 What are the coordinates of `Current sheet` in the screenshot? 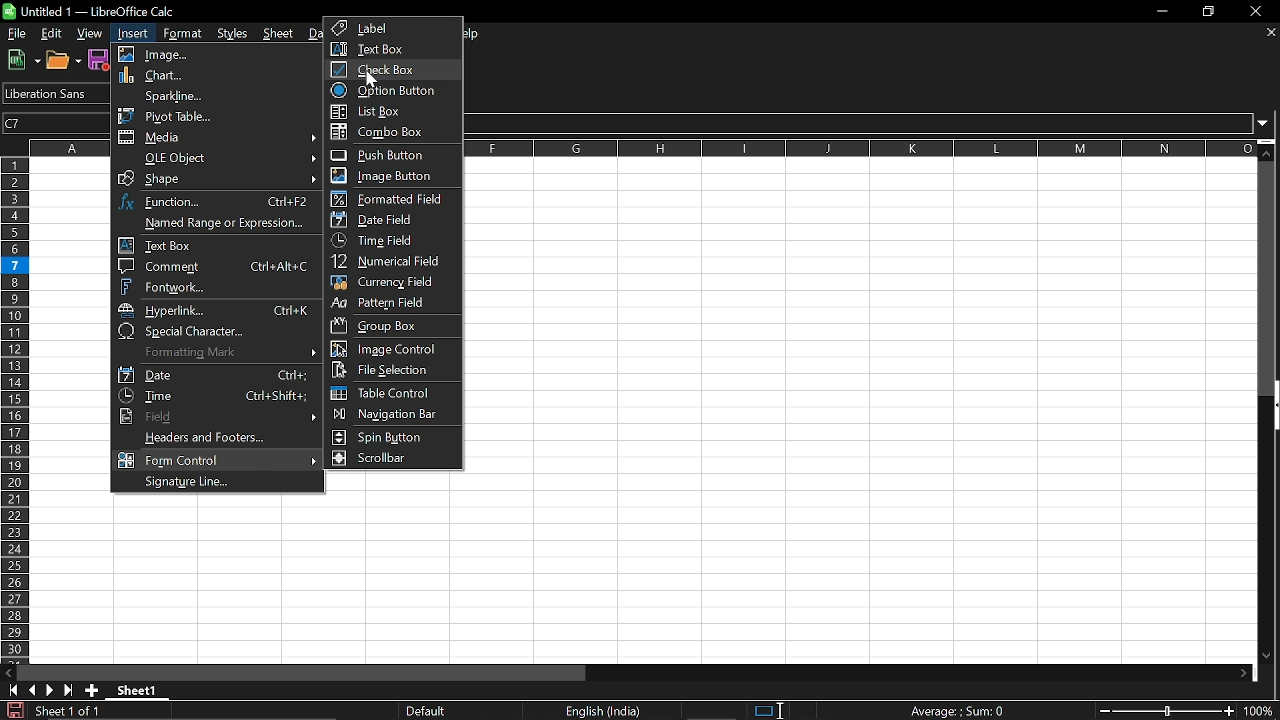 It's located at (66, 710).